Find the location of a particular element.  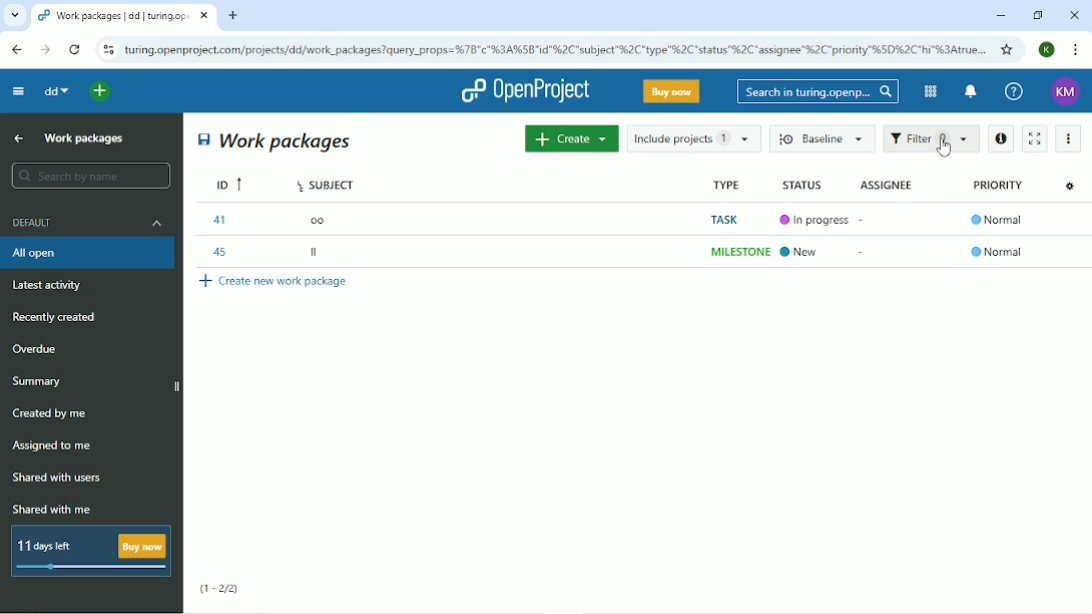

45 is located at coordinates (221, 253).